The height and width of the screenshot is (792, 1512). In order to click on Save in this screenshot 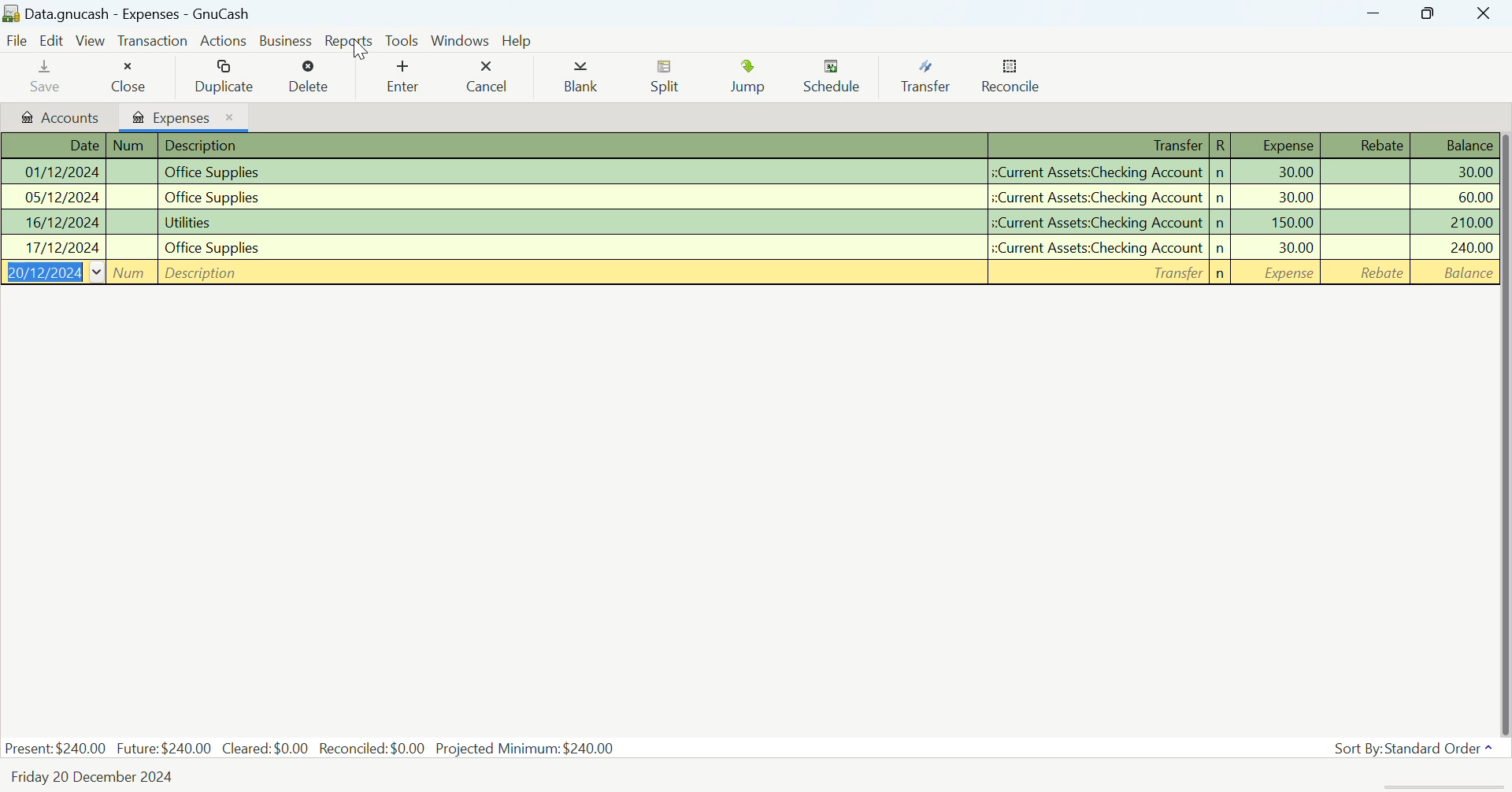, I will do `click(43, 80)`.